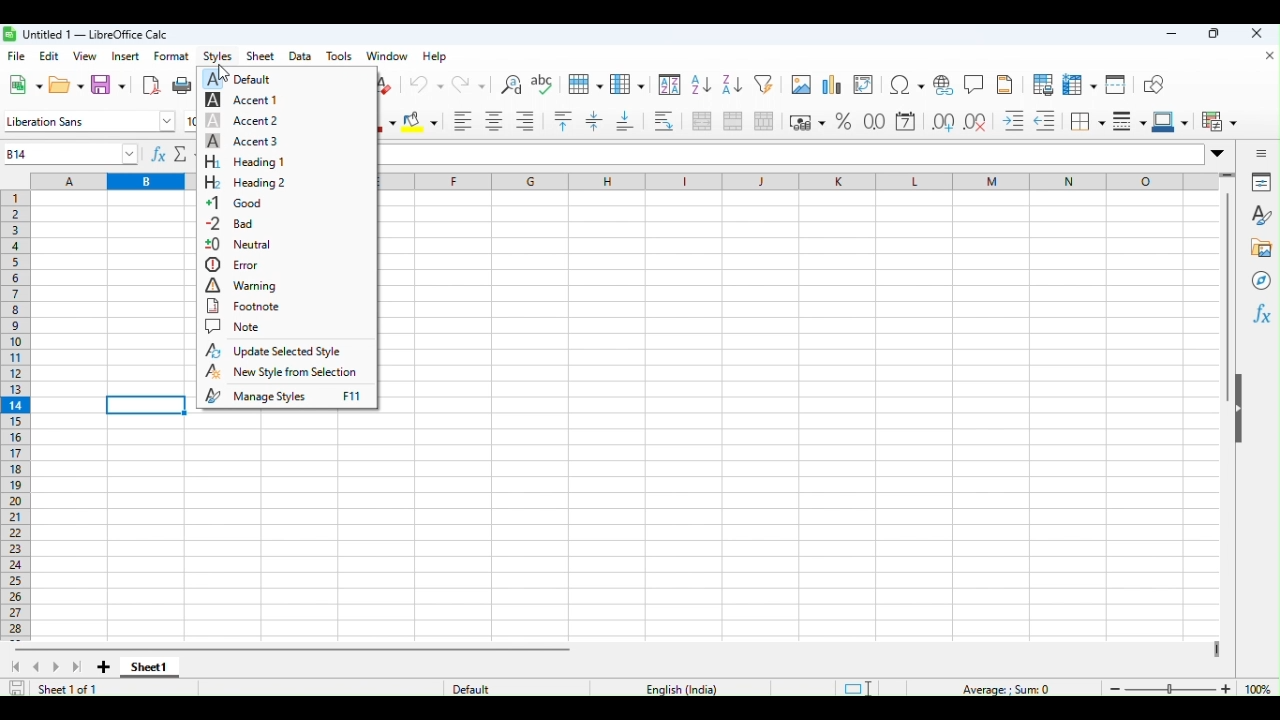 This screenshot has width=1280, height=720. What do you see at coordinates (530, 181) in the screenshot?
I see `g` at bounding box center [530, 181].